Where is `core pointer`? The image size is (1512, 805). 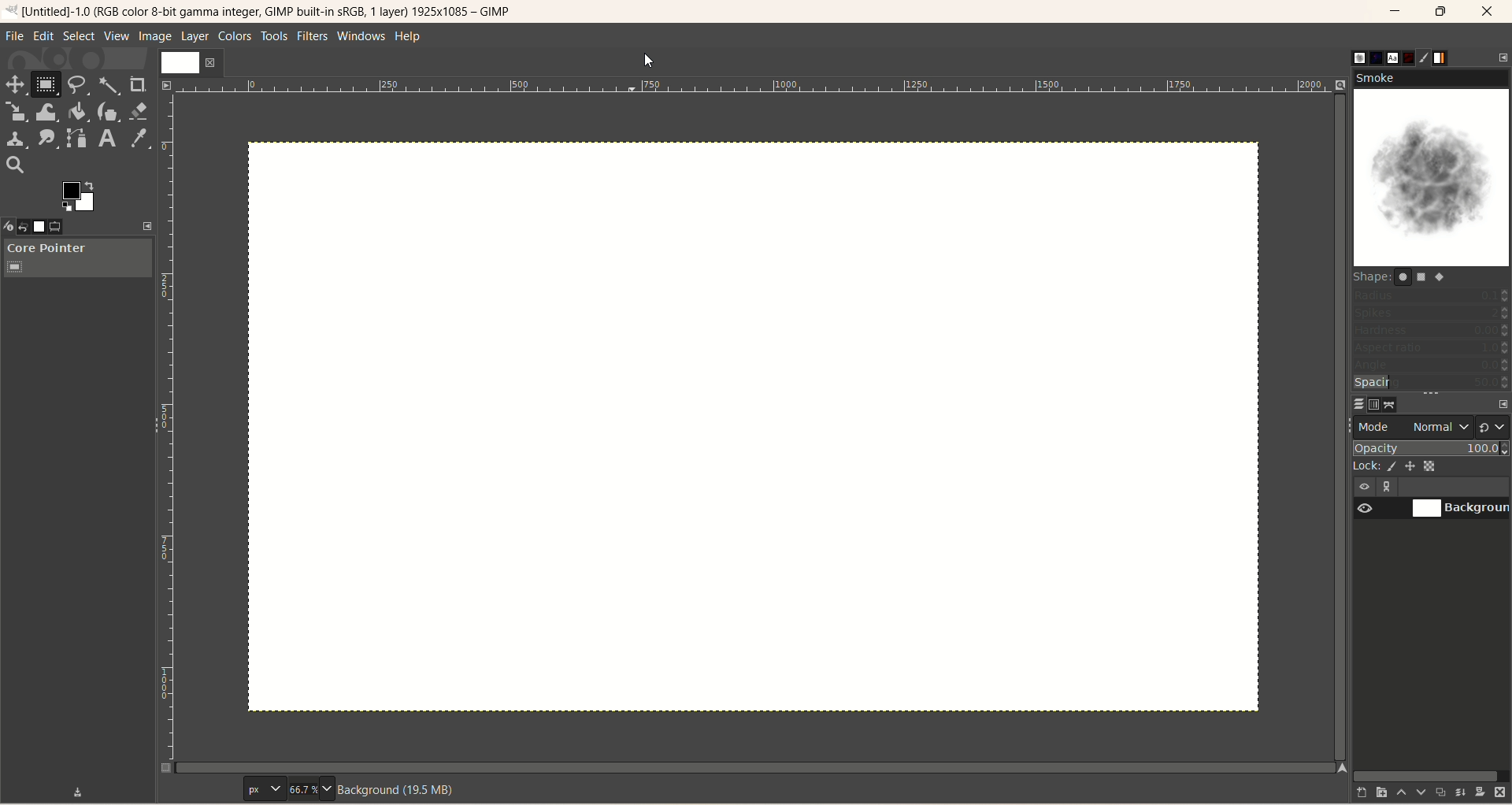
core pointer is located at coordinates (78, 258).